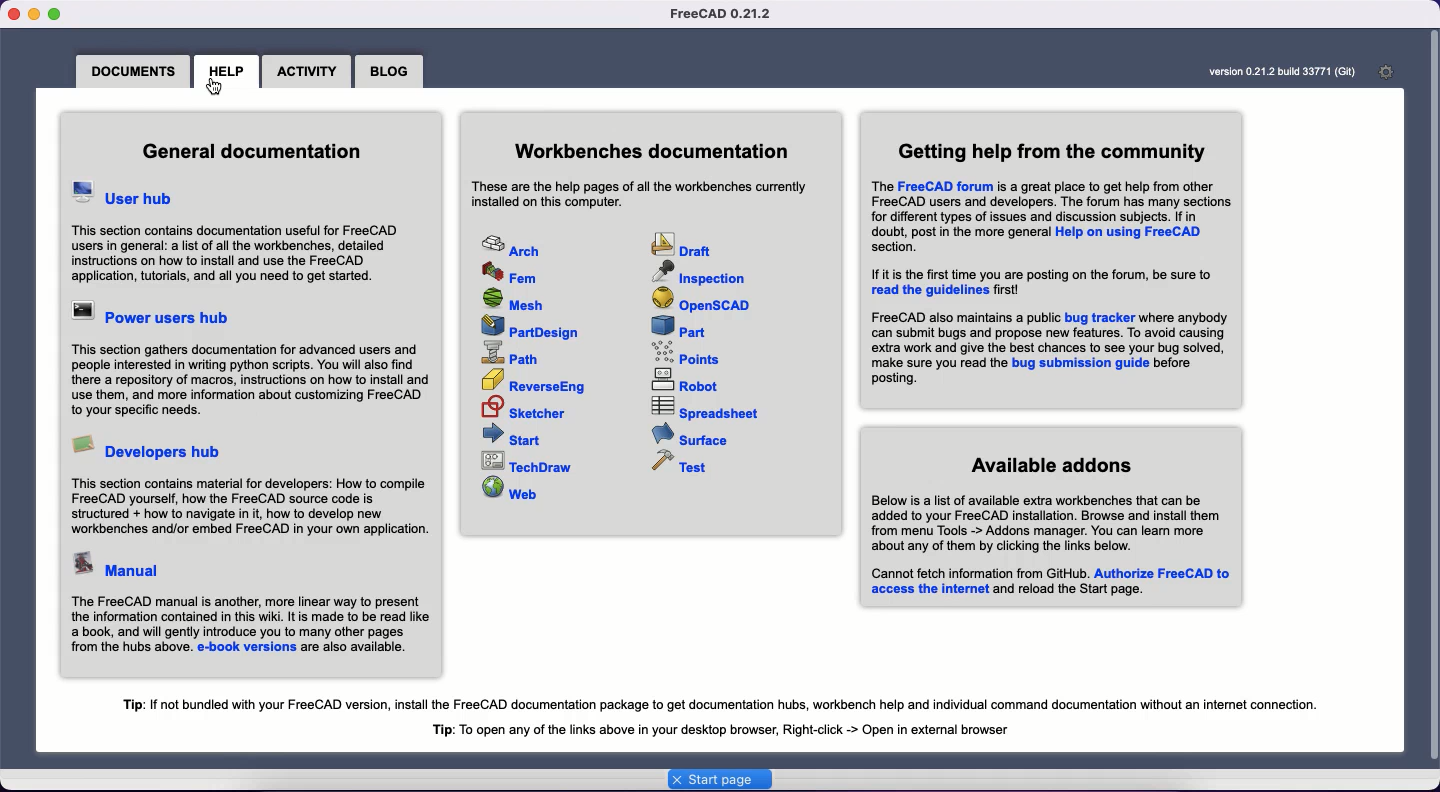  What do you see at coordinates (508, 272) in the screenshot?
I see `Fem` at bounding box center [508, 272].